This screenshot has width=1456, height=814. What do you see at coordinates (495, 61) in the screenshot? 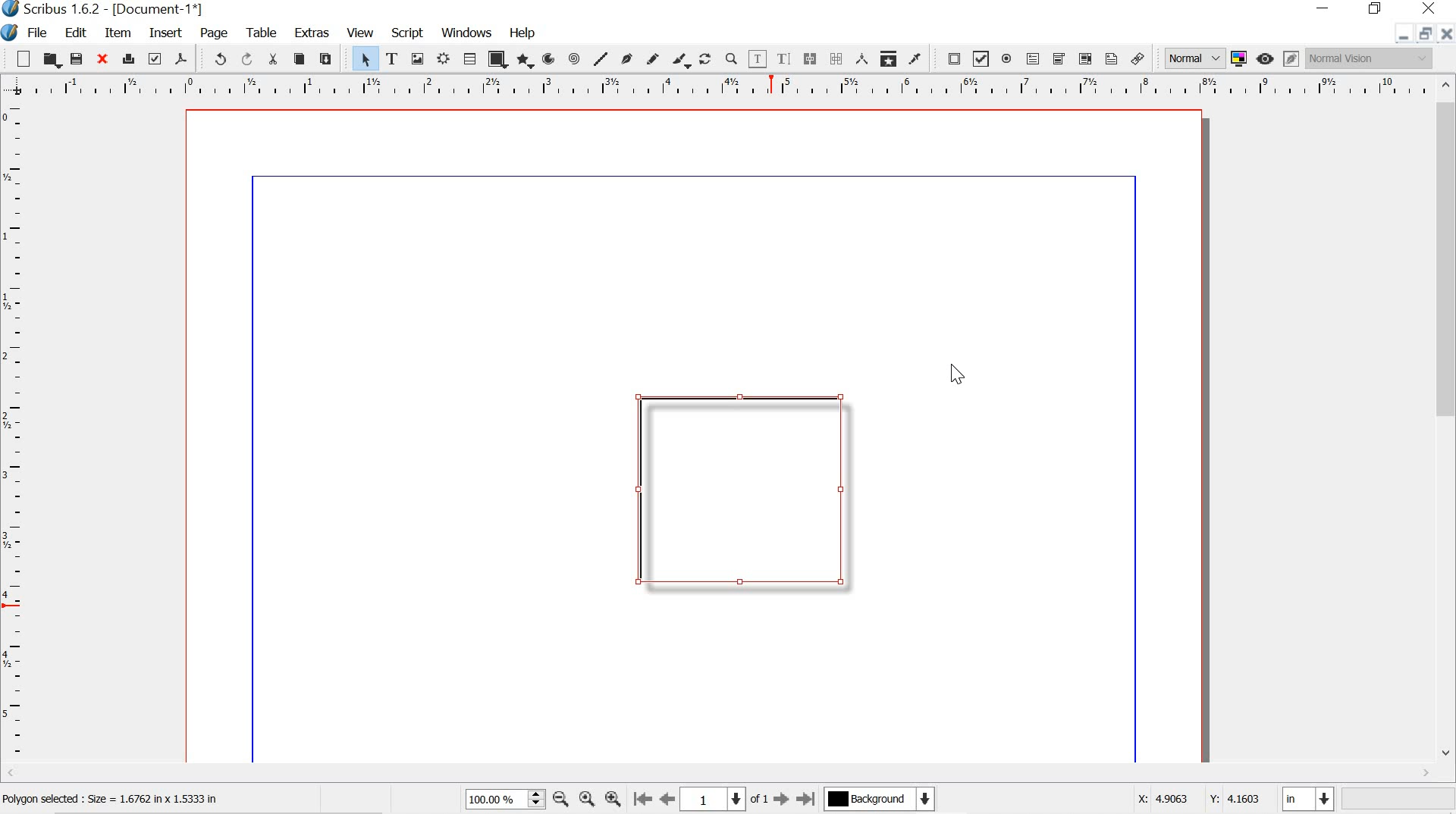
I see `shape` at bounding box center [495, 61].